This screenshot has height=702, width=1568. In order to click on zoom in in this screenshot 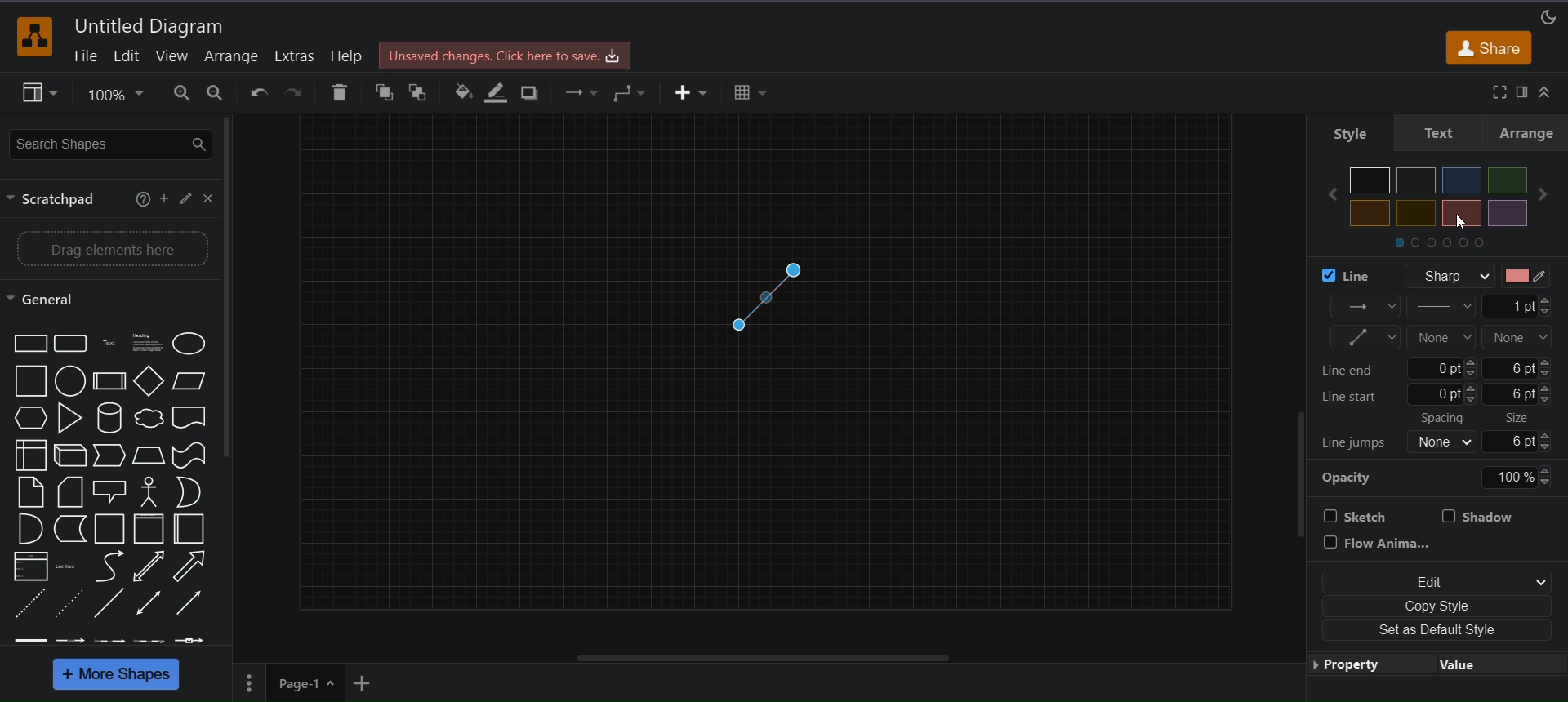, I will do `click(181, 94)`.